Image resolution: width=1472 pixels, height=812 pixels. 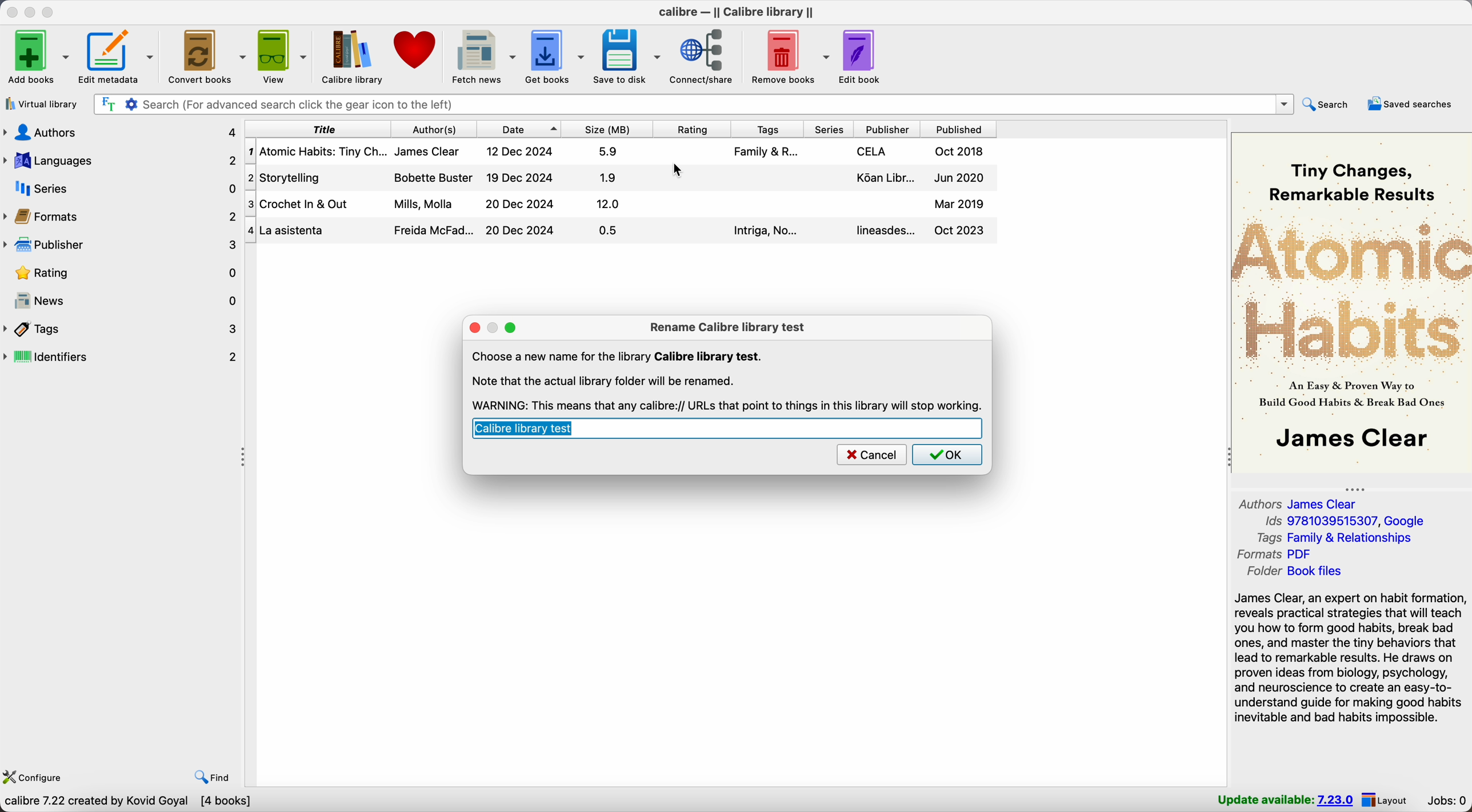 What do you see at coordinates (1350, 301) in the screenshot?
I see `book cover preview` at bounding box center [1350, 301].